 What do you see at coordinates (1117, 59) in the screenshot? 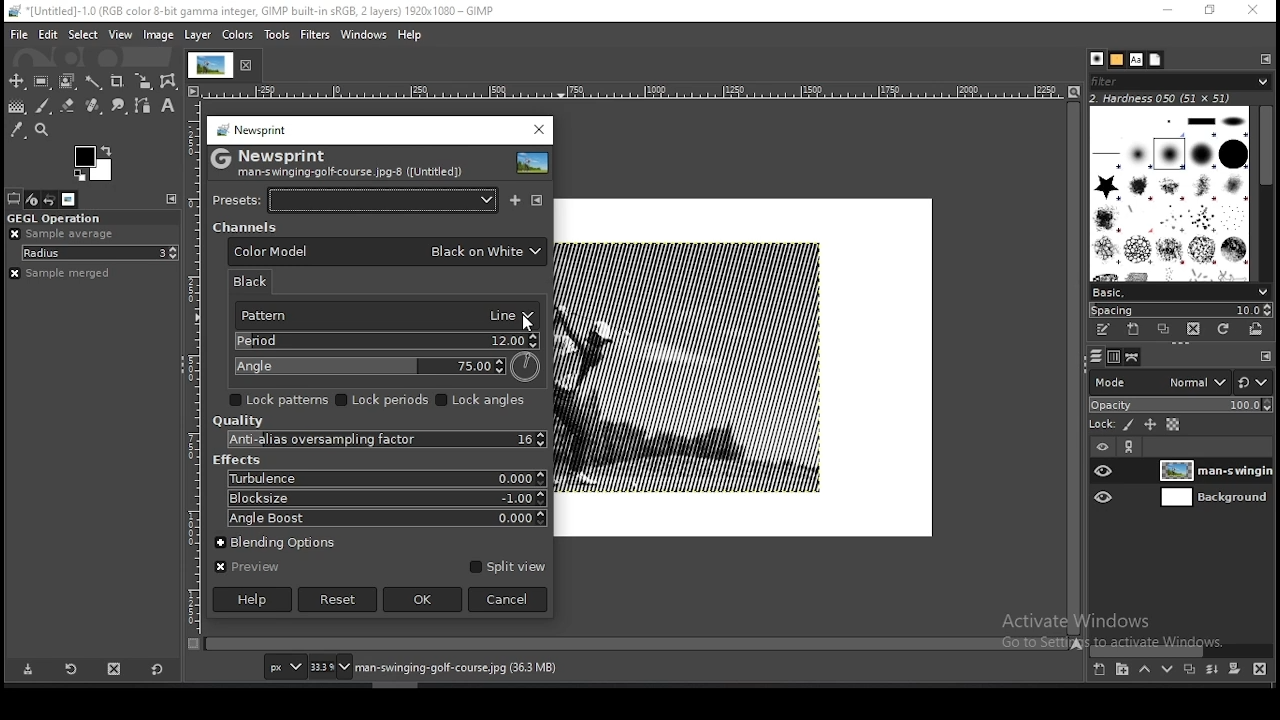
I see `patterns` at bounding box center [1117, 59].